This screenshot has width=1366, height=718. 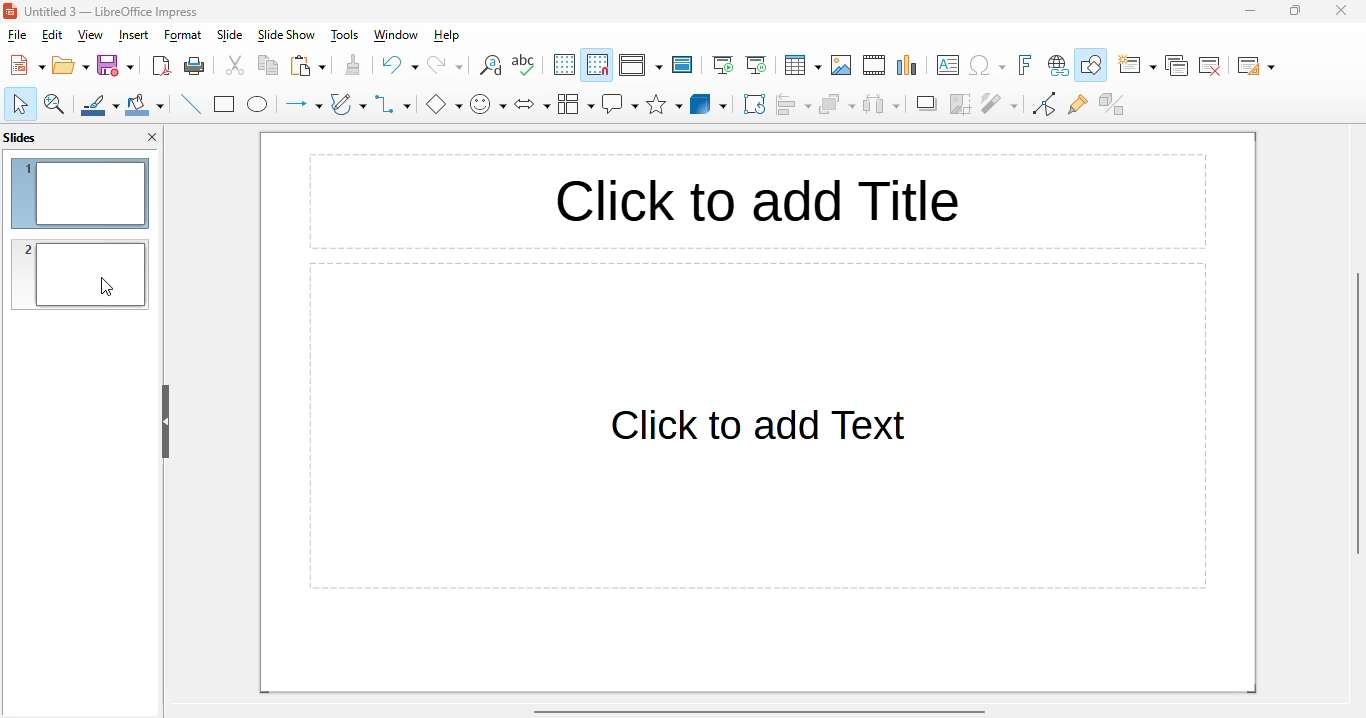 What do you see at coordinates (621, 104) in the screenshot?
I see `callout shapes` at bounding box center [621, 104].